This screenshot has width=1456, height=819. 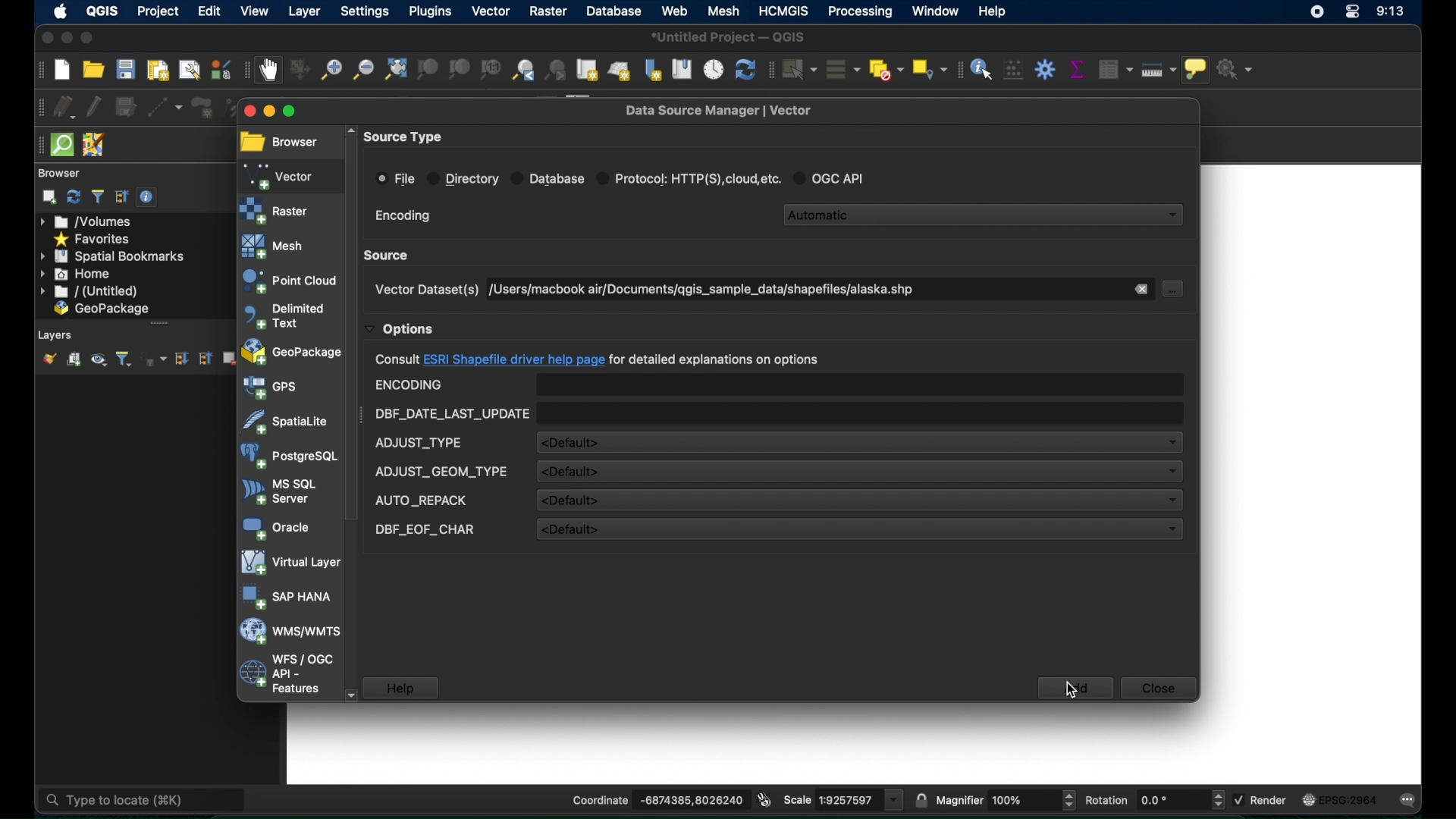 I want to click on control center, so click(x=1352, y=14).